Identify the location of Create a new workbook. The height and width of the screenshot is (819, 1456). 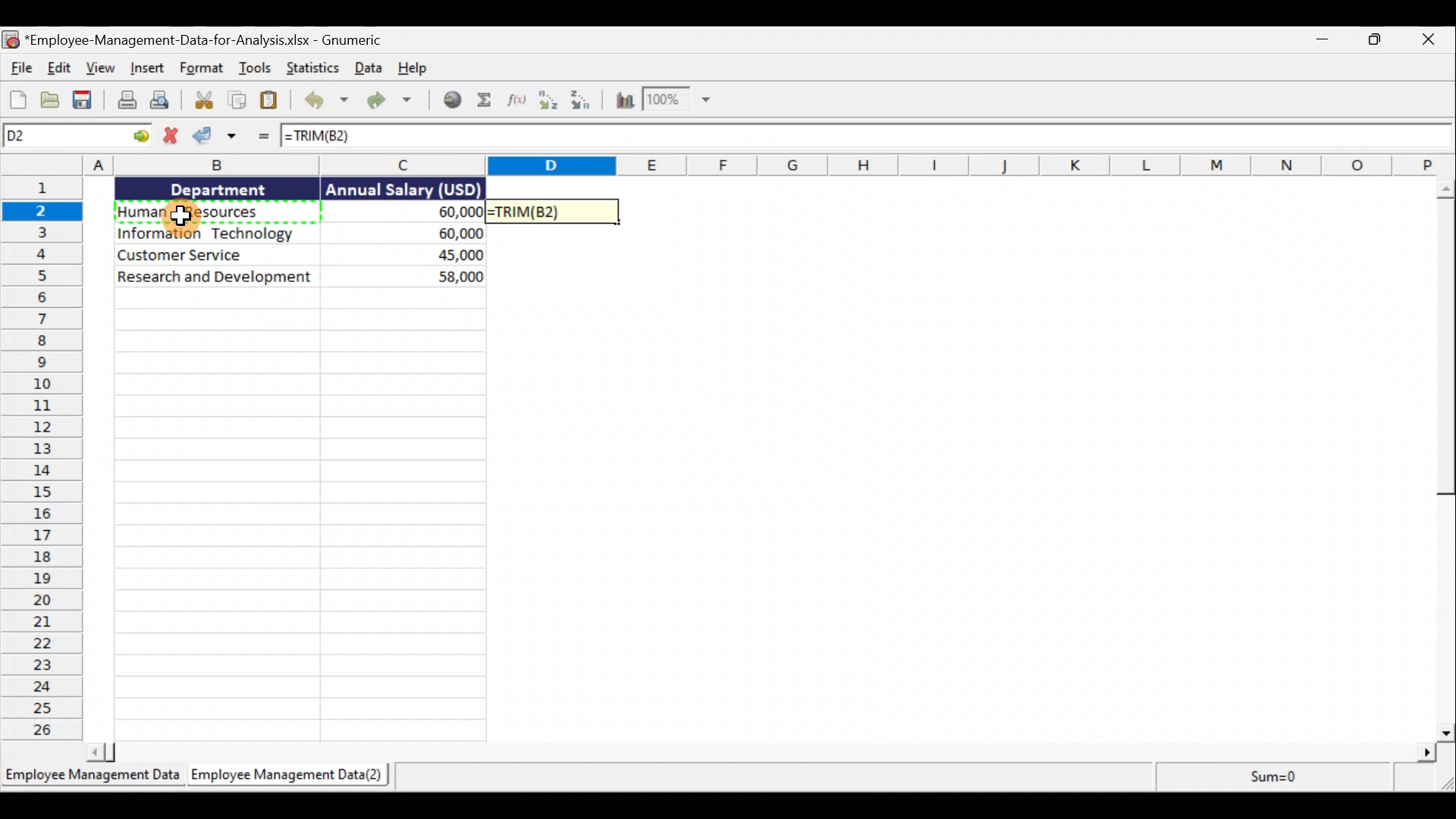
(17, 100).